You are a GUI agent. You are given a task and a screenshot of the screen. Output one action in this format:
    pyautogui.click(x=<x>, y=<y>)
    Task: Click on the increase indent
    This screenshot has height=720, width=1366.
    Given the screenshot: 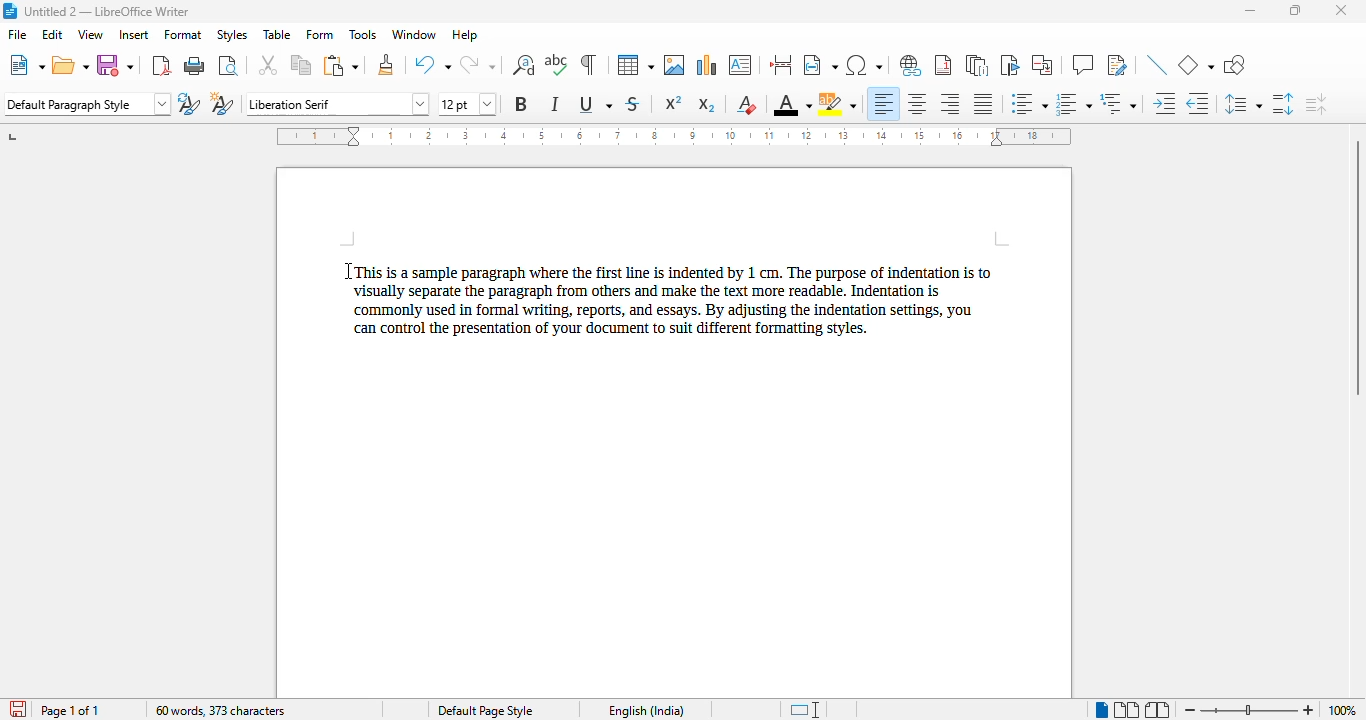 What is the action you would take?
    pyautogui.click(x=1163, y=103)
    